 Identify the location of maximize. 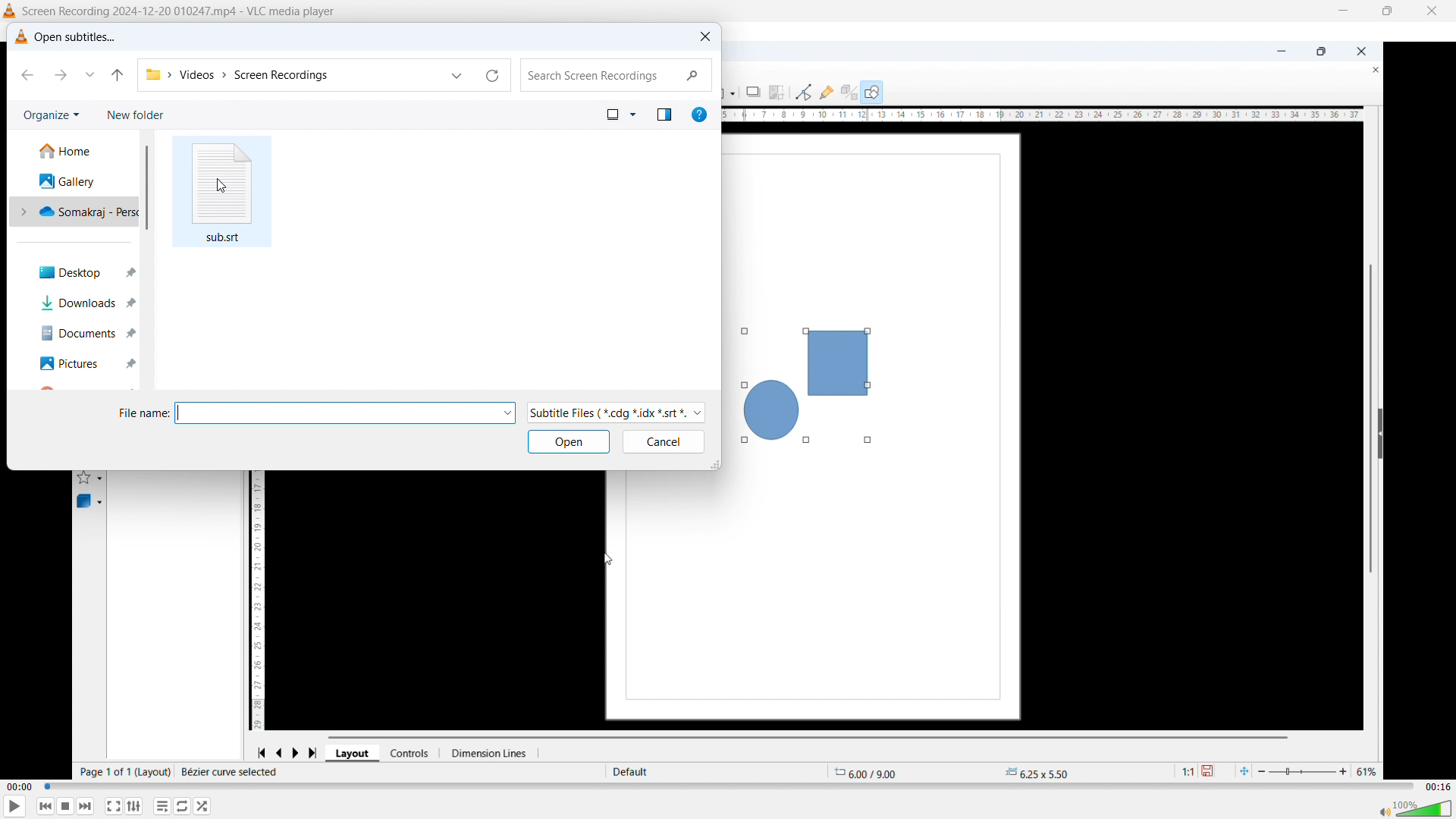
(1321, 52).